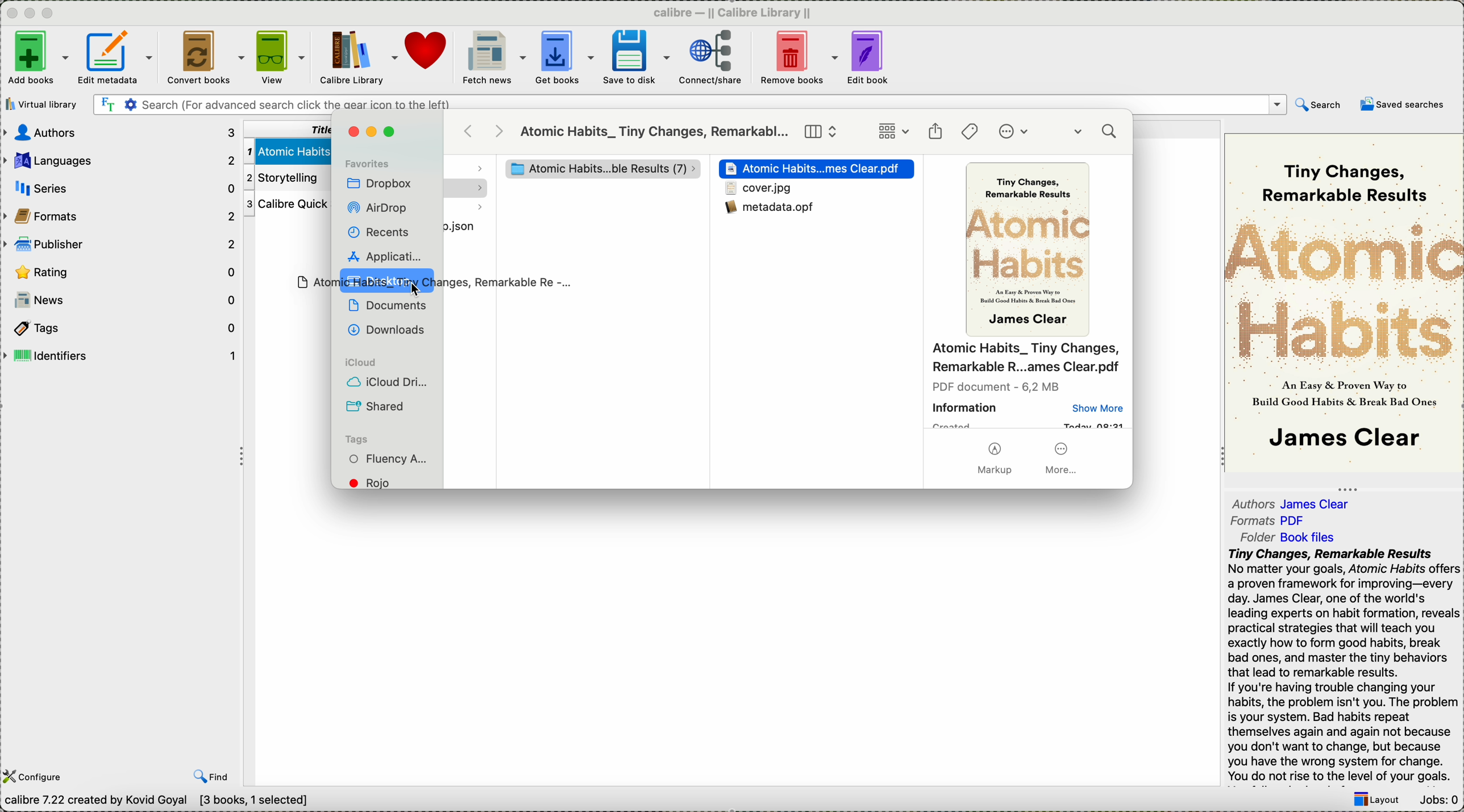 The width and height of the screenshot is (1464, 812). Describe the element at coordinates (971, 131) in the screenshot. I see `tags` at that location.